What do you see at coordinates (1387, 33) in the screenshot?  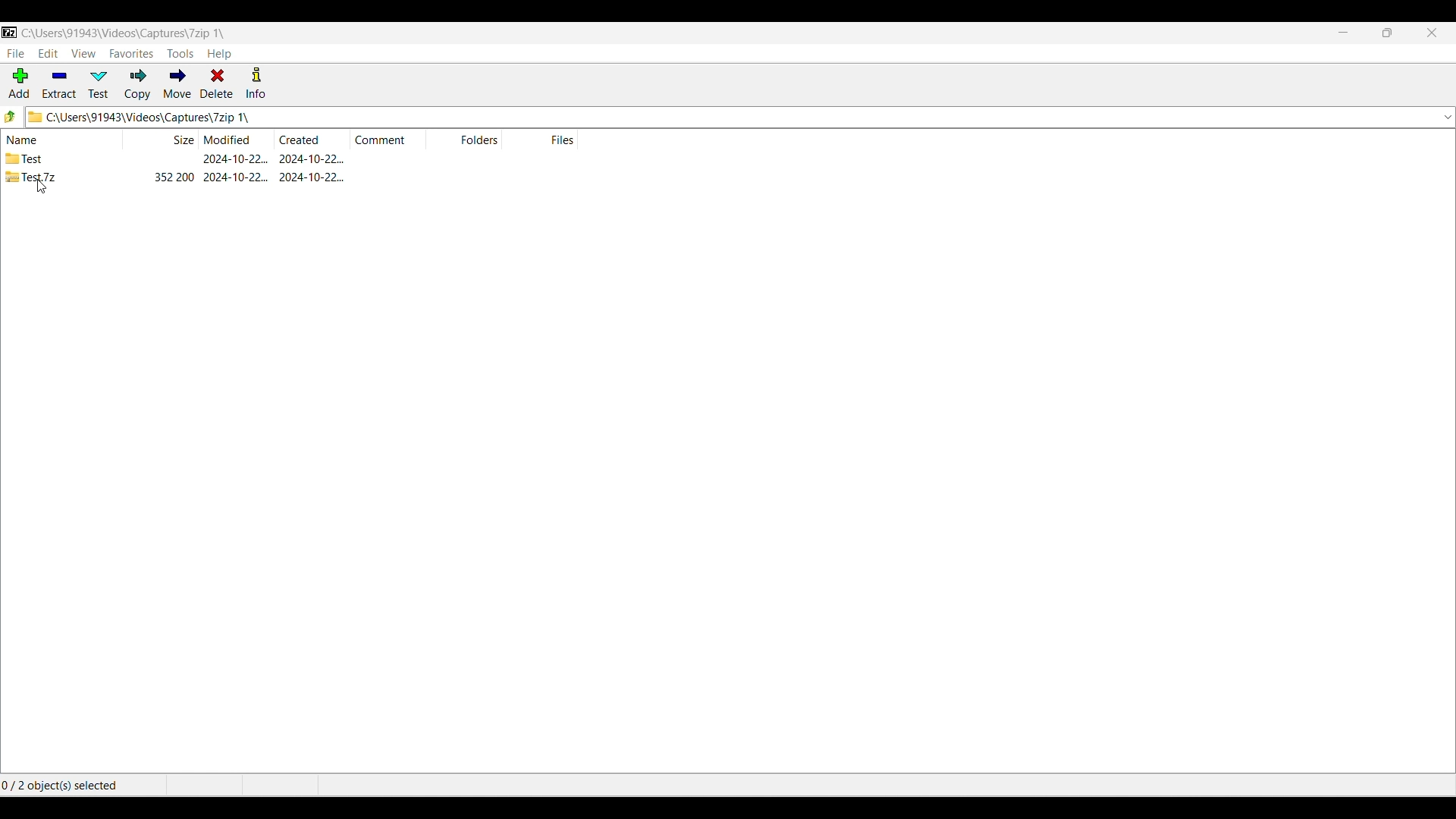 I see `Show interface in smaller tab` at bounding box center [1387, 33].